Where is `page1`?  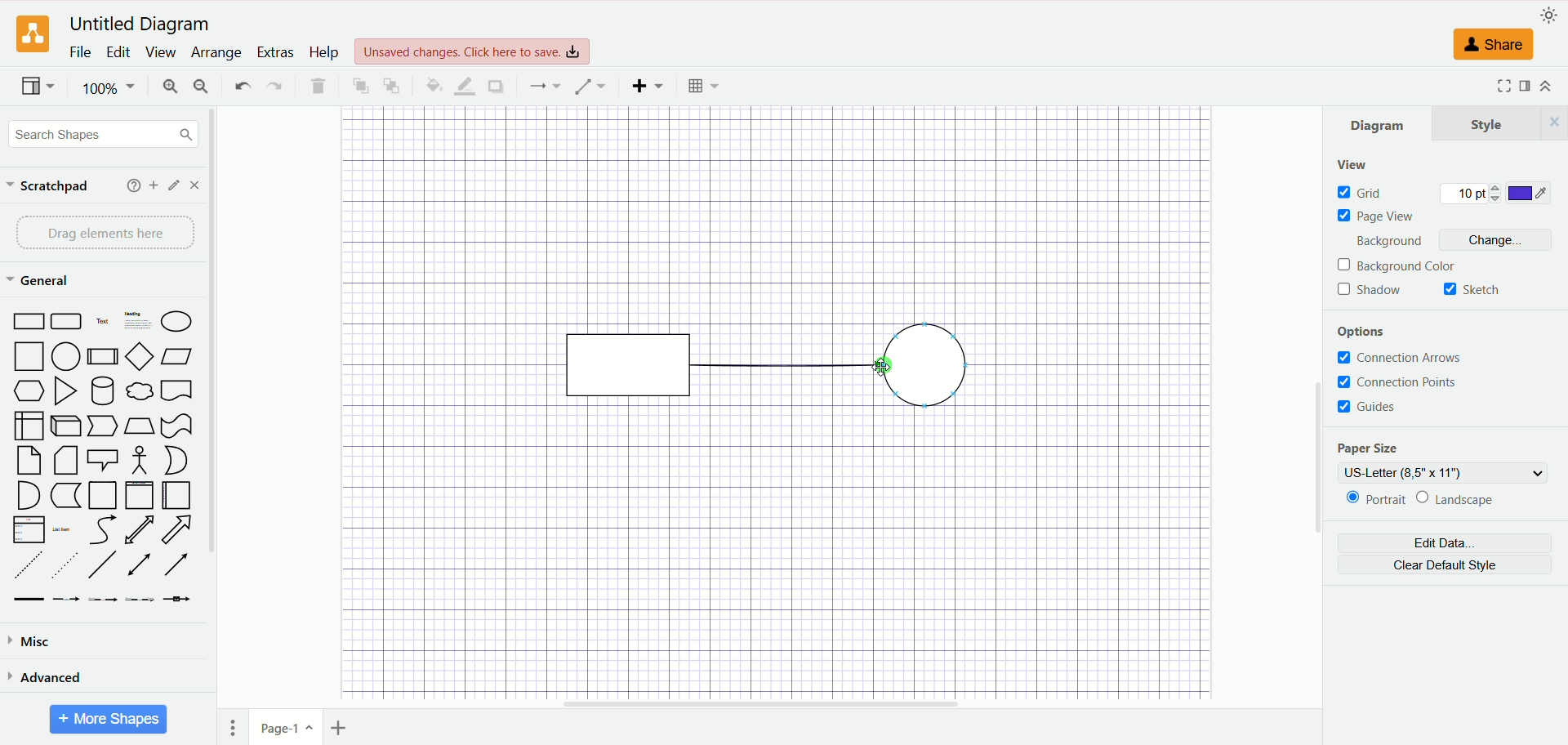 page1 is located at coordinates (287, 727).